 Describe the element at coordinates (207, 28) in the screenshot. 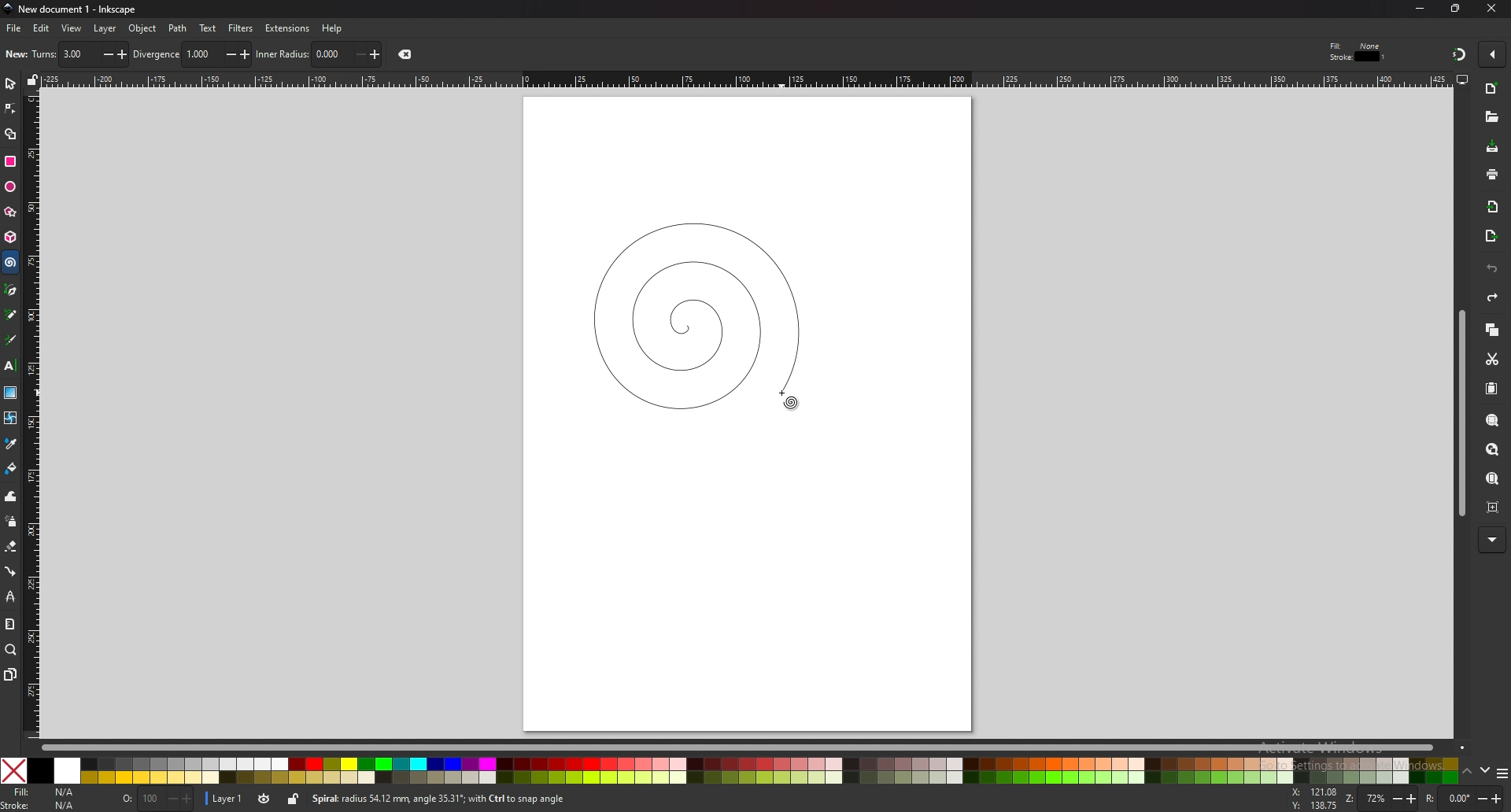

I see `text` at that location.